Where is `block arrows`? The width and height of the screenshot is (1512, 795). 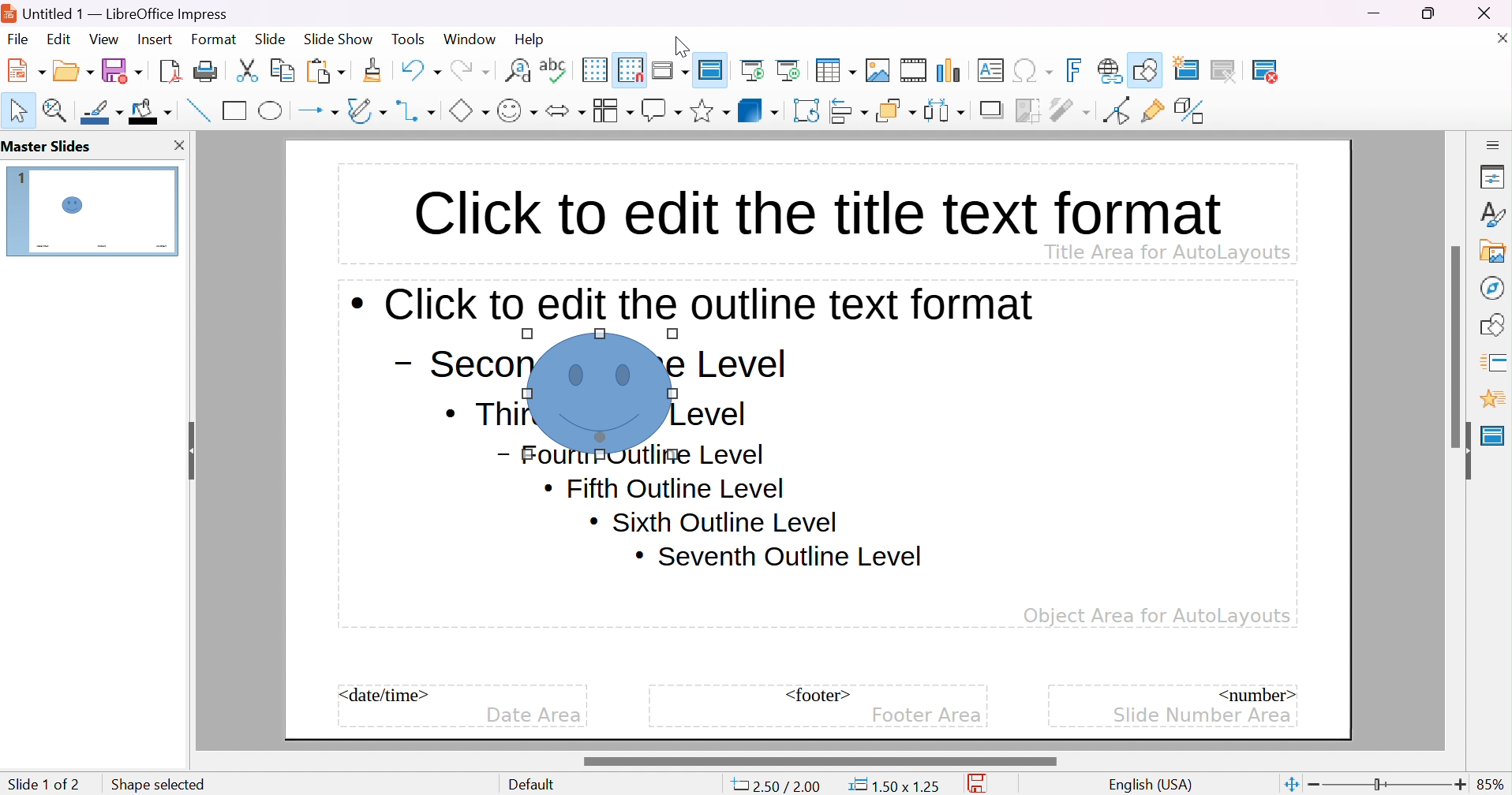
block arrows is located at coordinates (565, 110).